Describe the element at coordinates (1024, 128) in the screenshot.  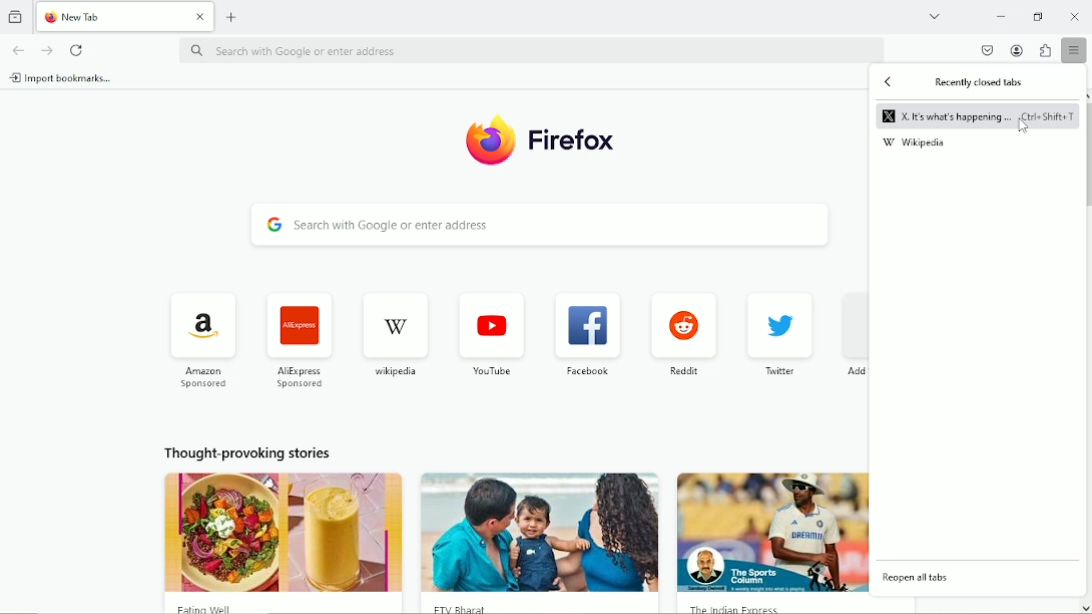
I see `cursor` at that location.